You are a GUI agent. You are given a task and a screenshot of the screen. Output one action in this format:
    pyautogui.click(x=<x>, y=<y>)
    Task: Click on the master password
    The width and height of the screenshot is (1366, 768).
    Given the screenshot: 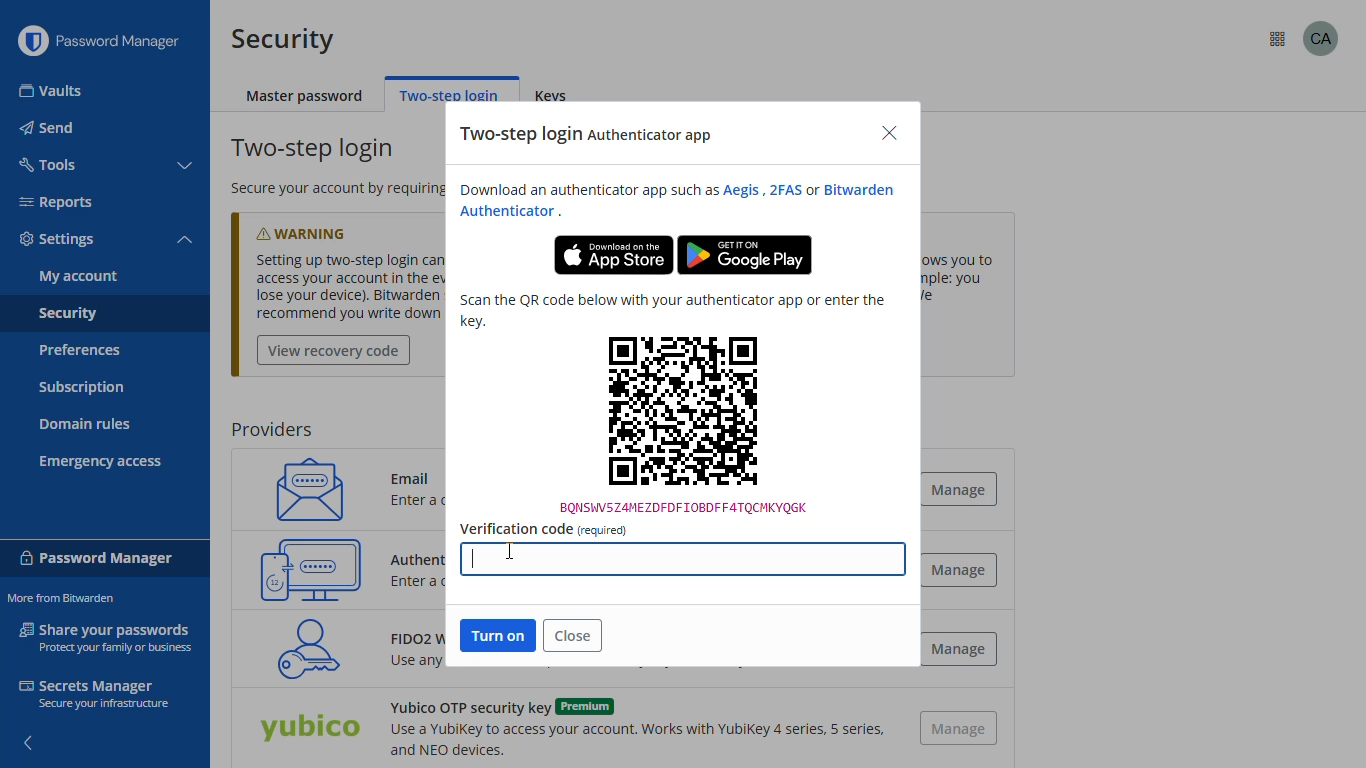 What is the action you would take?
    pyautogui.click(x=306, y=97)
    